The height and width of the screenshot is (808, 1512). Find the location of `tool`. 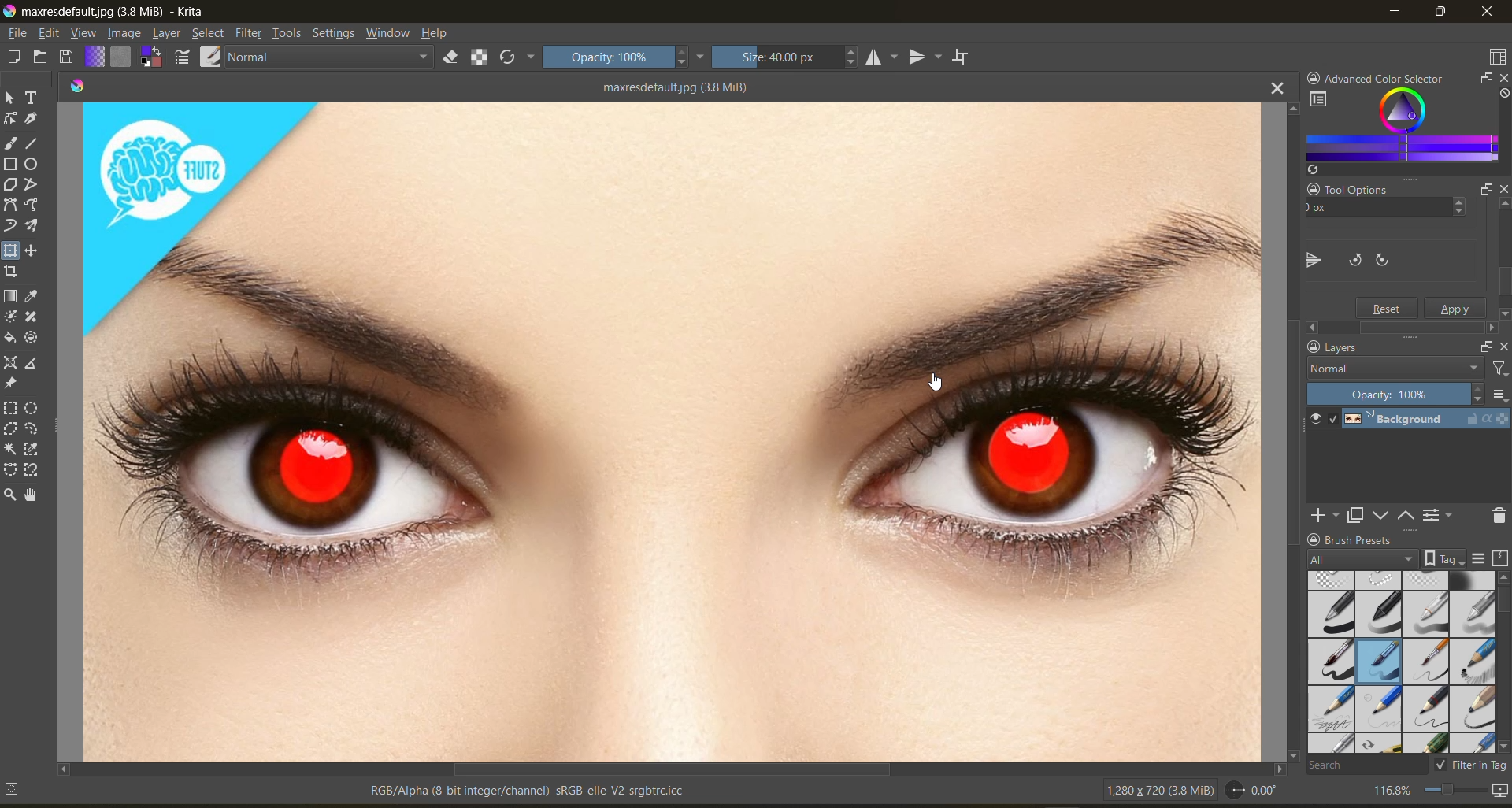

tool is located at coordinates (12, 226).